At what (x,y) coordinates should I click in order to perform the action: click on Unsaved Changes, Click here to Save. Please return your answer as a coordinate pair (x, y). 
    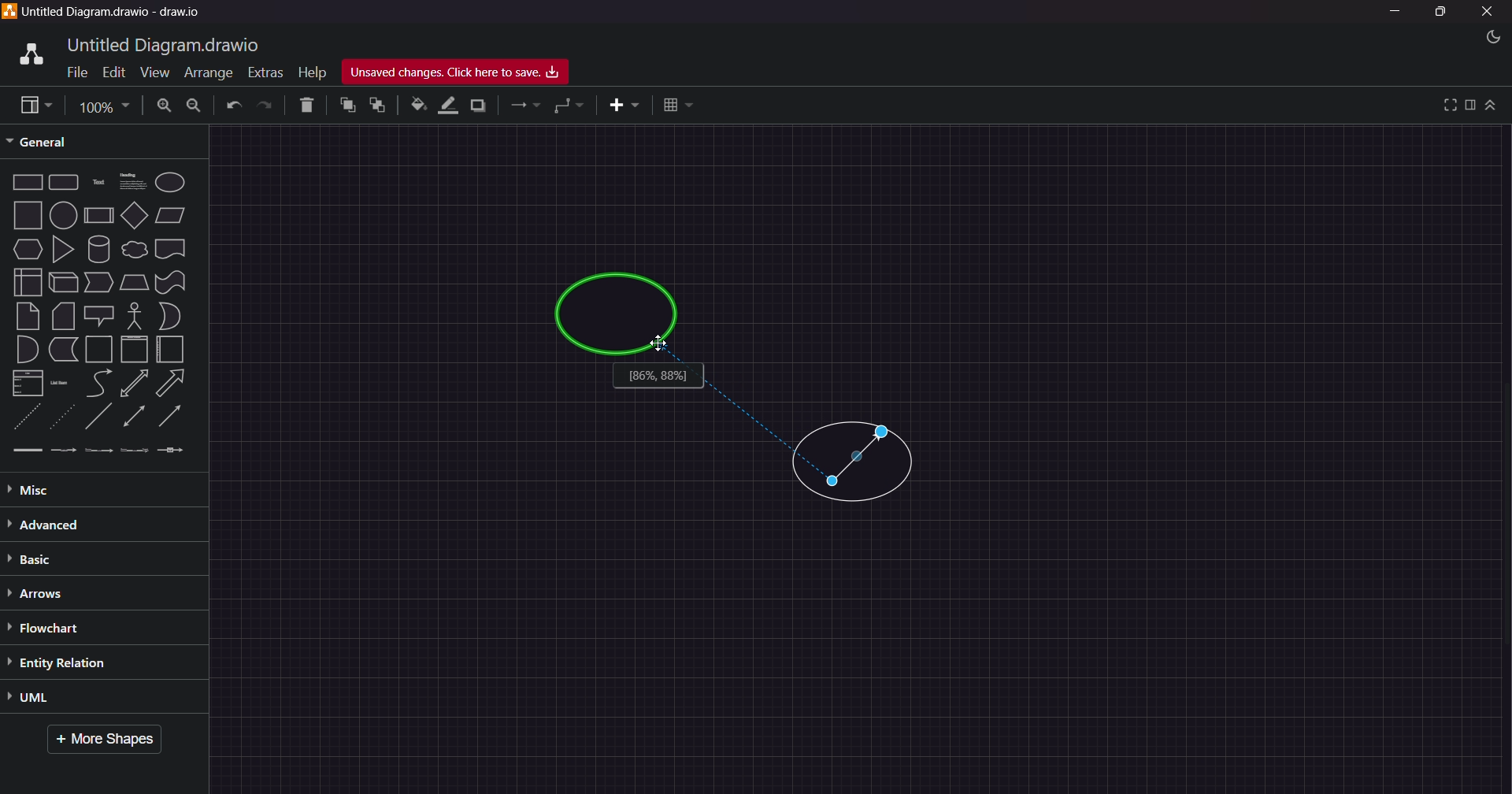
    Looking at the image, I should click on (462, 72).